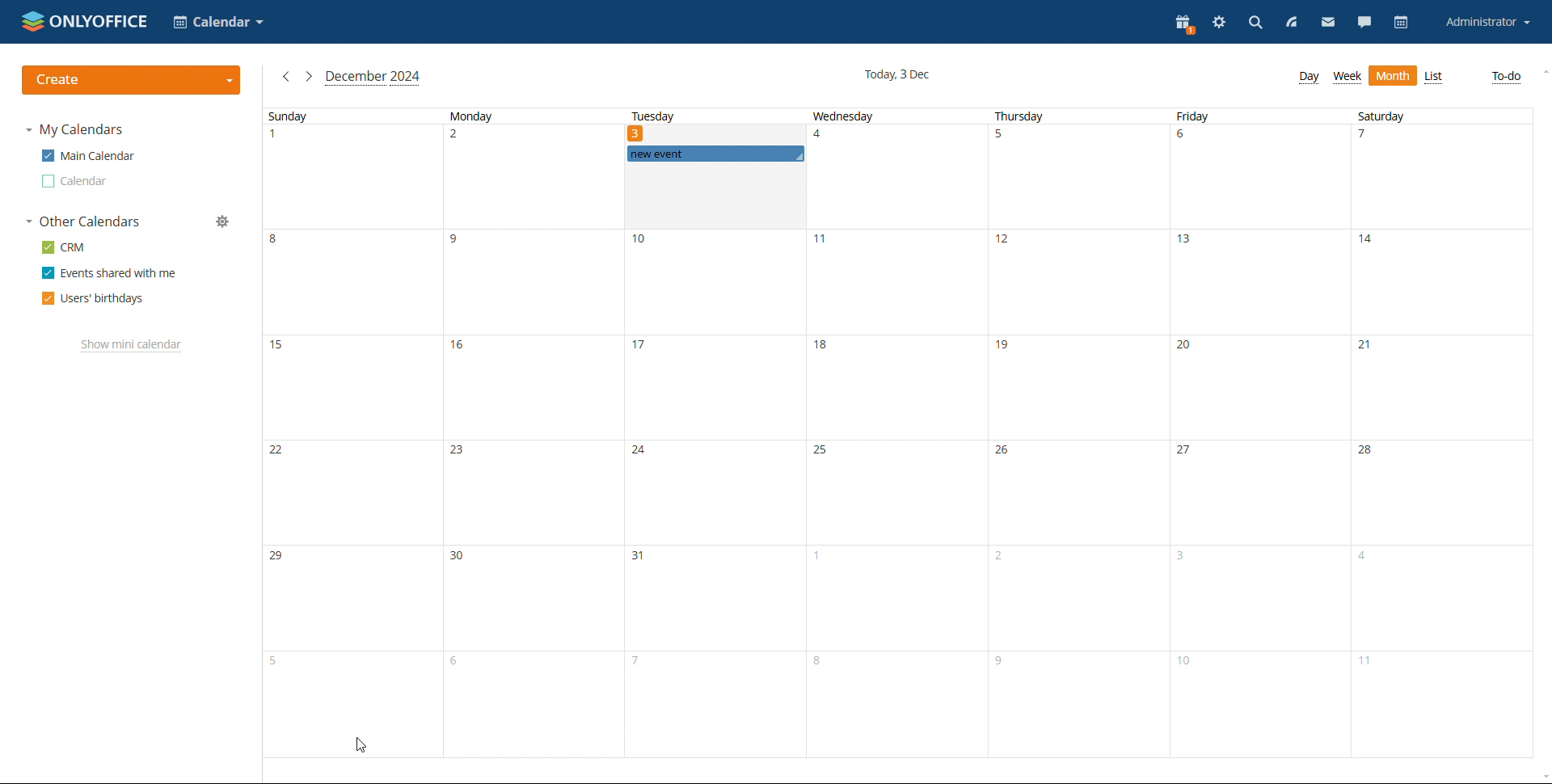  I want to click on scroll down, so click(1542, 778).